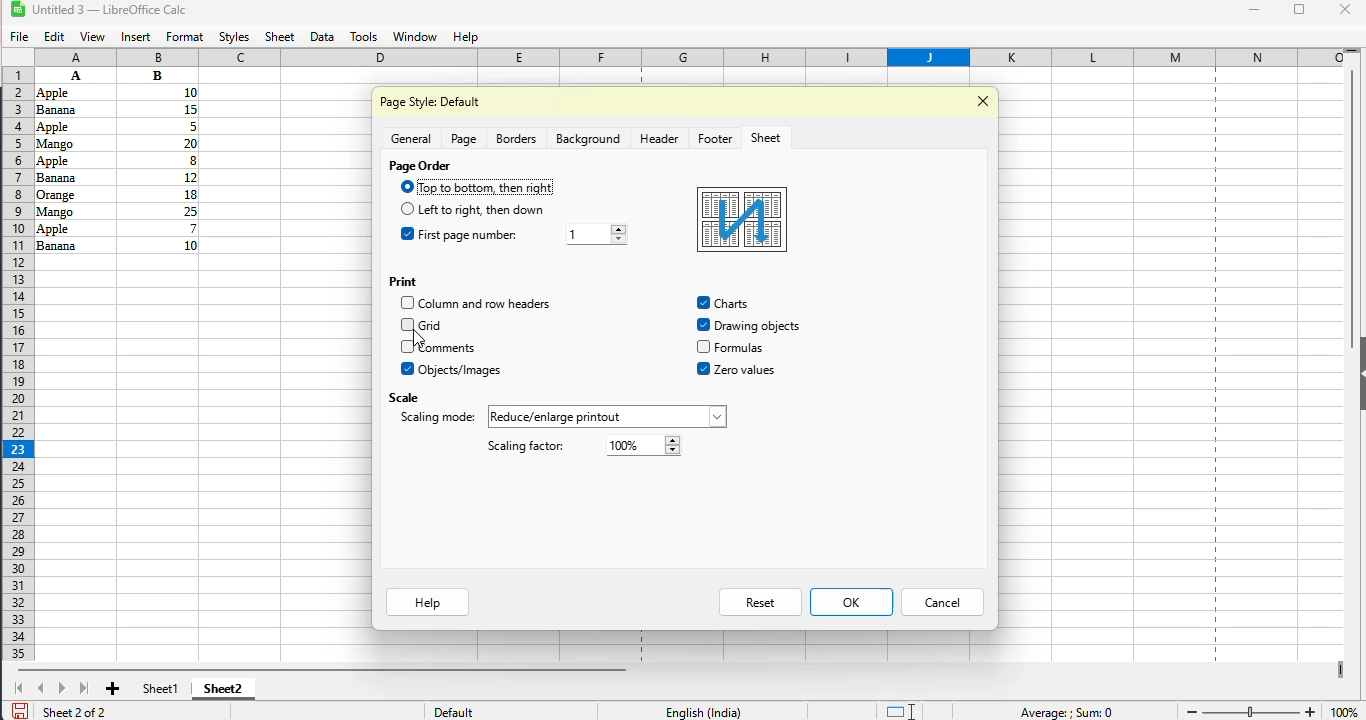 Image resolution: width=1366 pixels, height=720 pixels. I want to click on format, so click(185, 37).